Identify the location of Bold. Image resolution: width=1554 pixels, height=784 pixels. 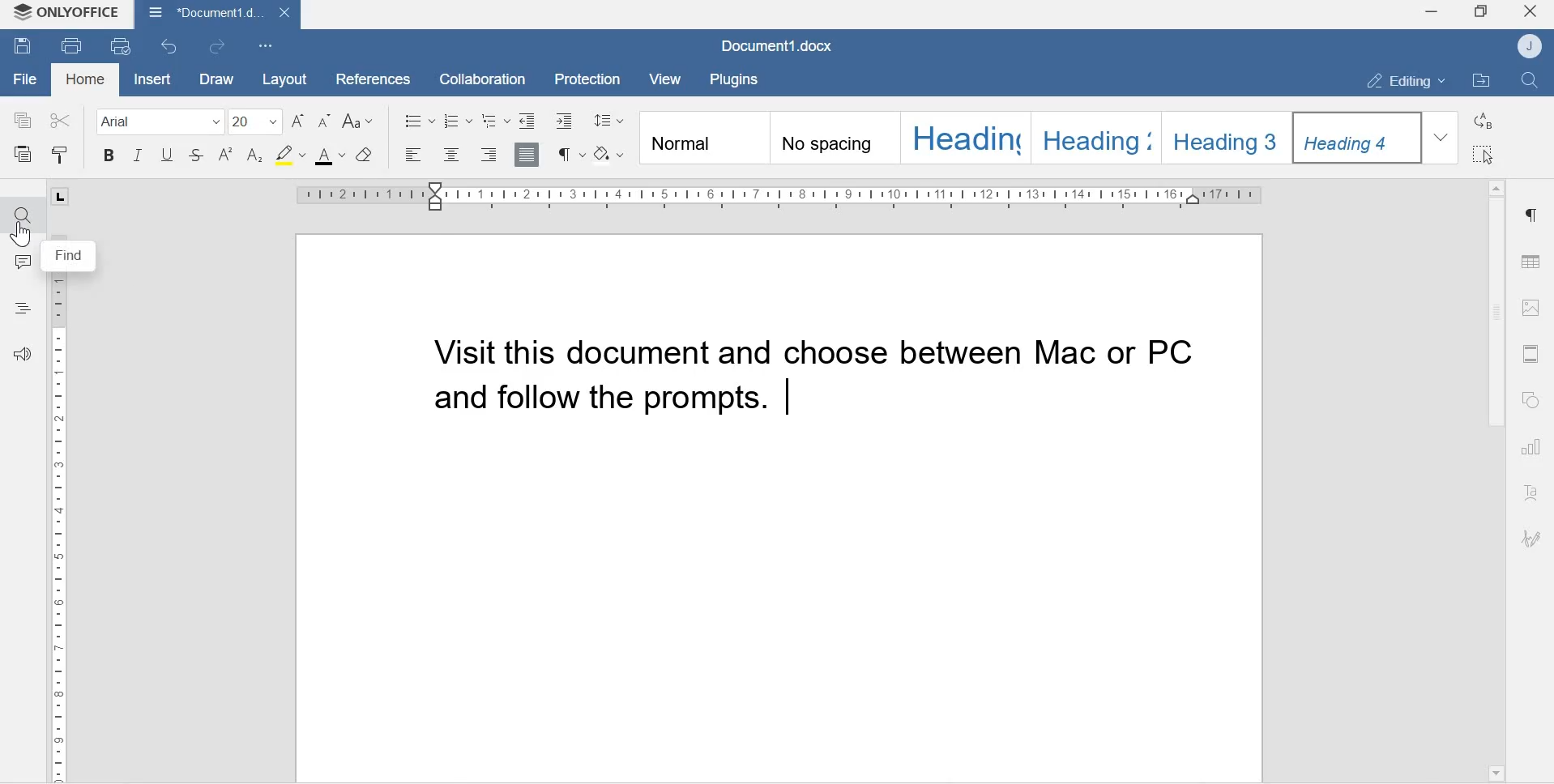
(109, 158).